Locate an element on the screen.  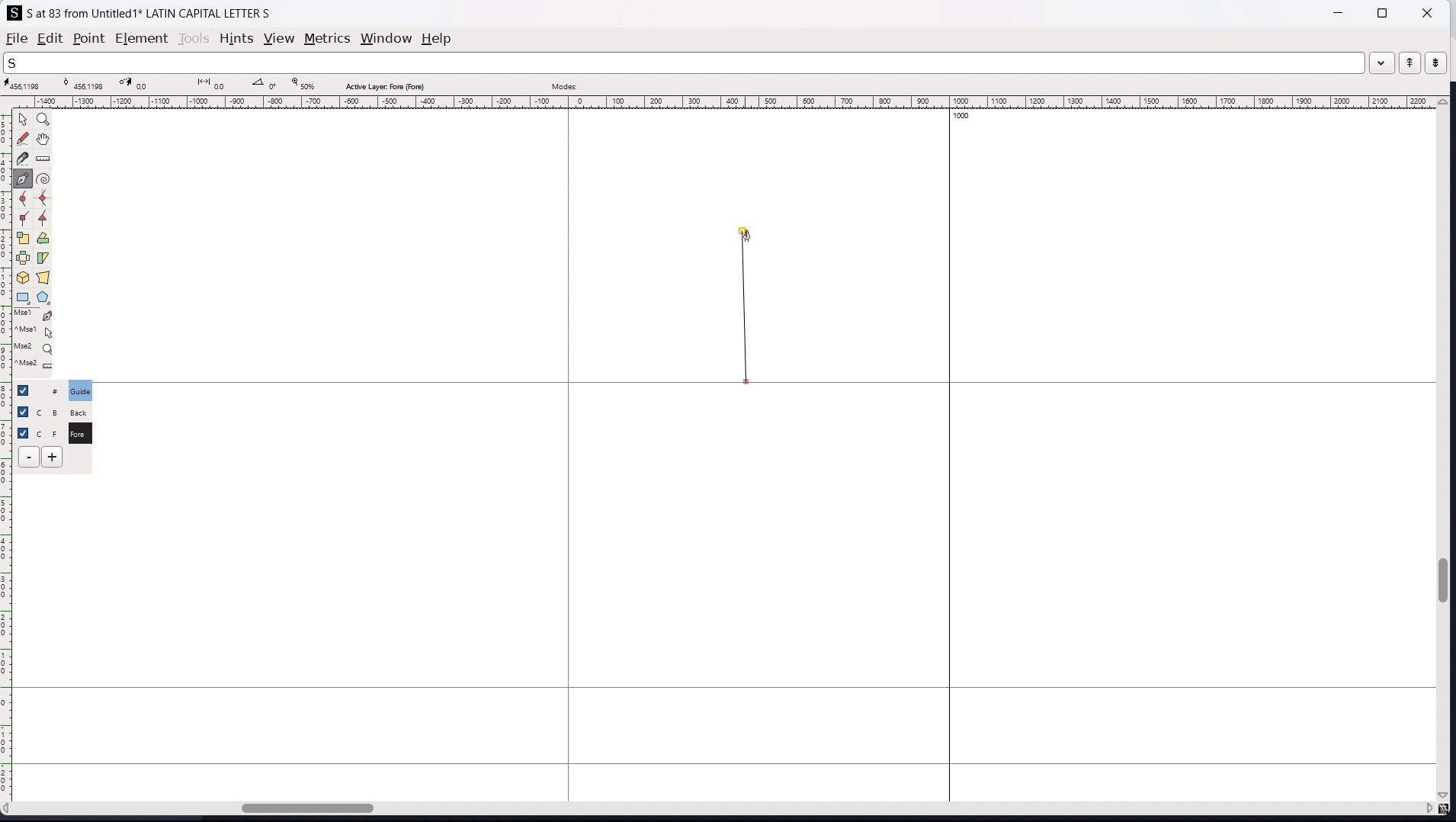
next word in the wordlist is located at coordinates (1435, 62).